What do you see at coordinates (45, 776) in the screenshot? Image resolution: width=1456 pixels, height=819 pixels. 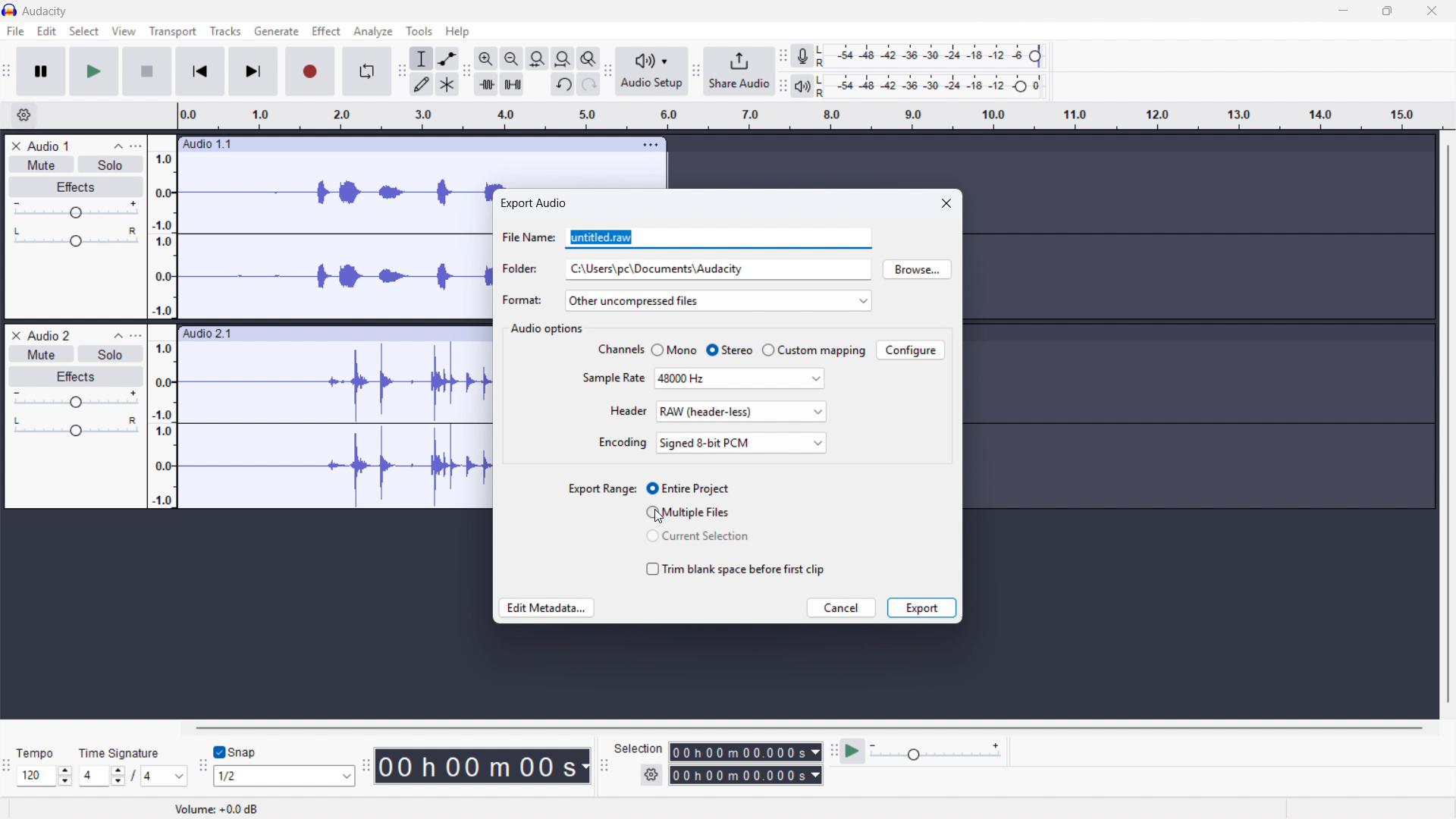 I see `Set tempo ` at bounding box center [45, 776].